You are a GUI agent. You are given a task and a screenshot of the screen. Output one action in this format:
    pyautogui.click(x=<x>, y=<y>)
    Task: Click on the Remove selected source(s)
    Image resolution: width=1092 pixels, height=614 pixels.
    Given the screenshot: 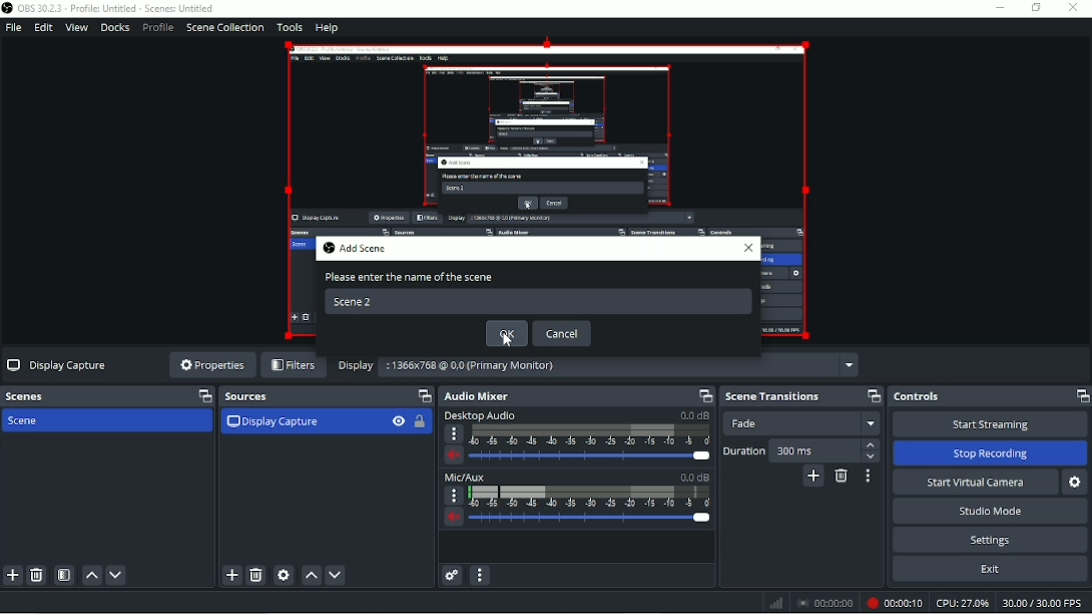 What is the action you would take?
    pyautogui.click(x=256, y=576)
    